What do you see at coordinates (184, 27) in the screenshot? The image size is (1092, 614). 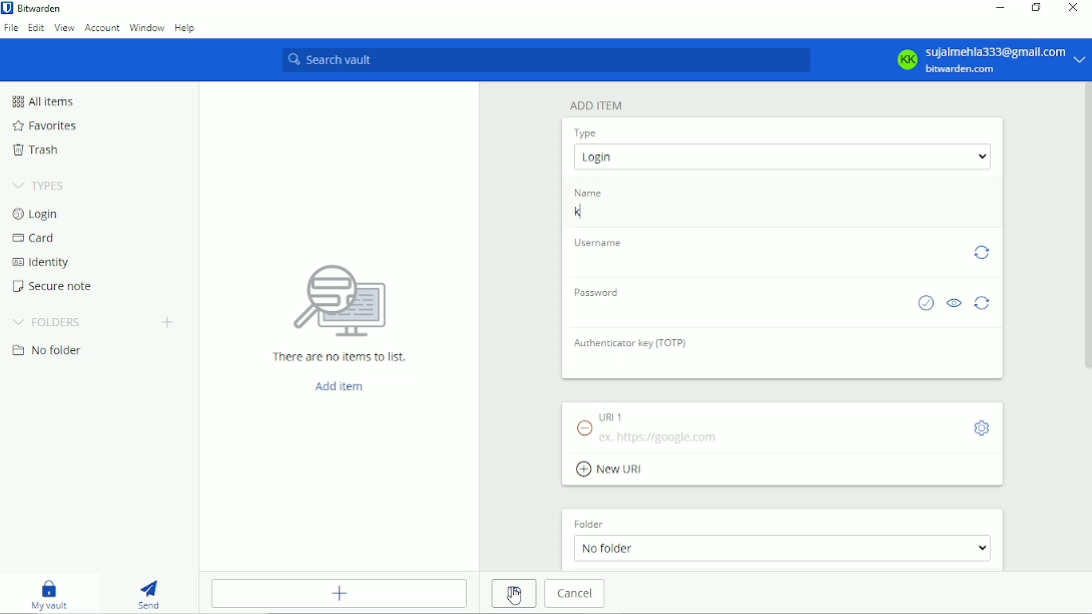 I see `Help` at bounding box center [184, 27].